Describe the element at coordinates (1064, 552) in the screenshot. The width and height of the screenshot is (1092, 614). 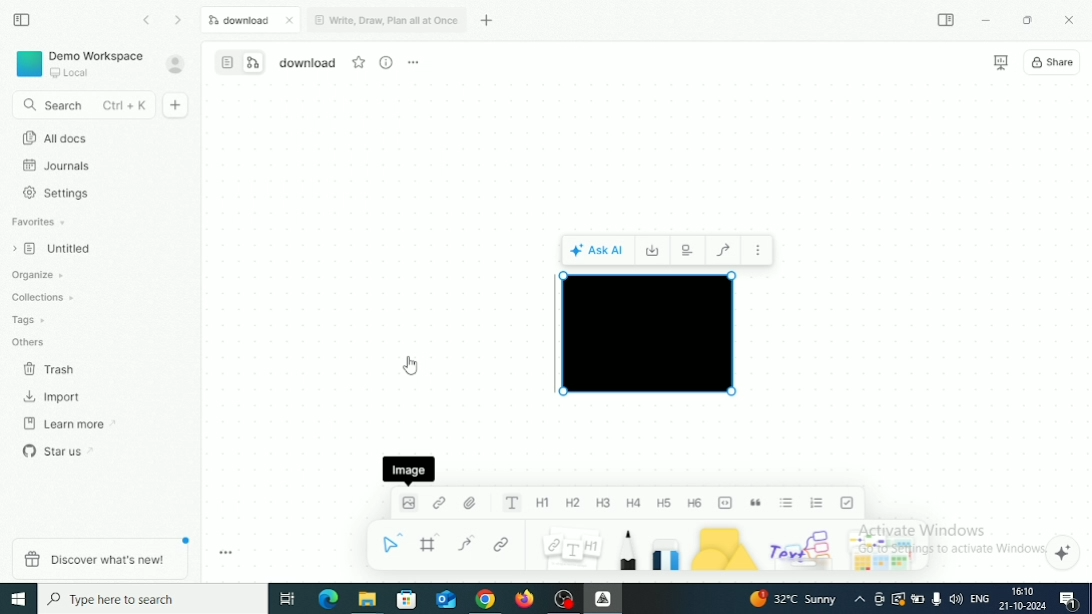
I see `Affine AI` at that location.